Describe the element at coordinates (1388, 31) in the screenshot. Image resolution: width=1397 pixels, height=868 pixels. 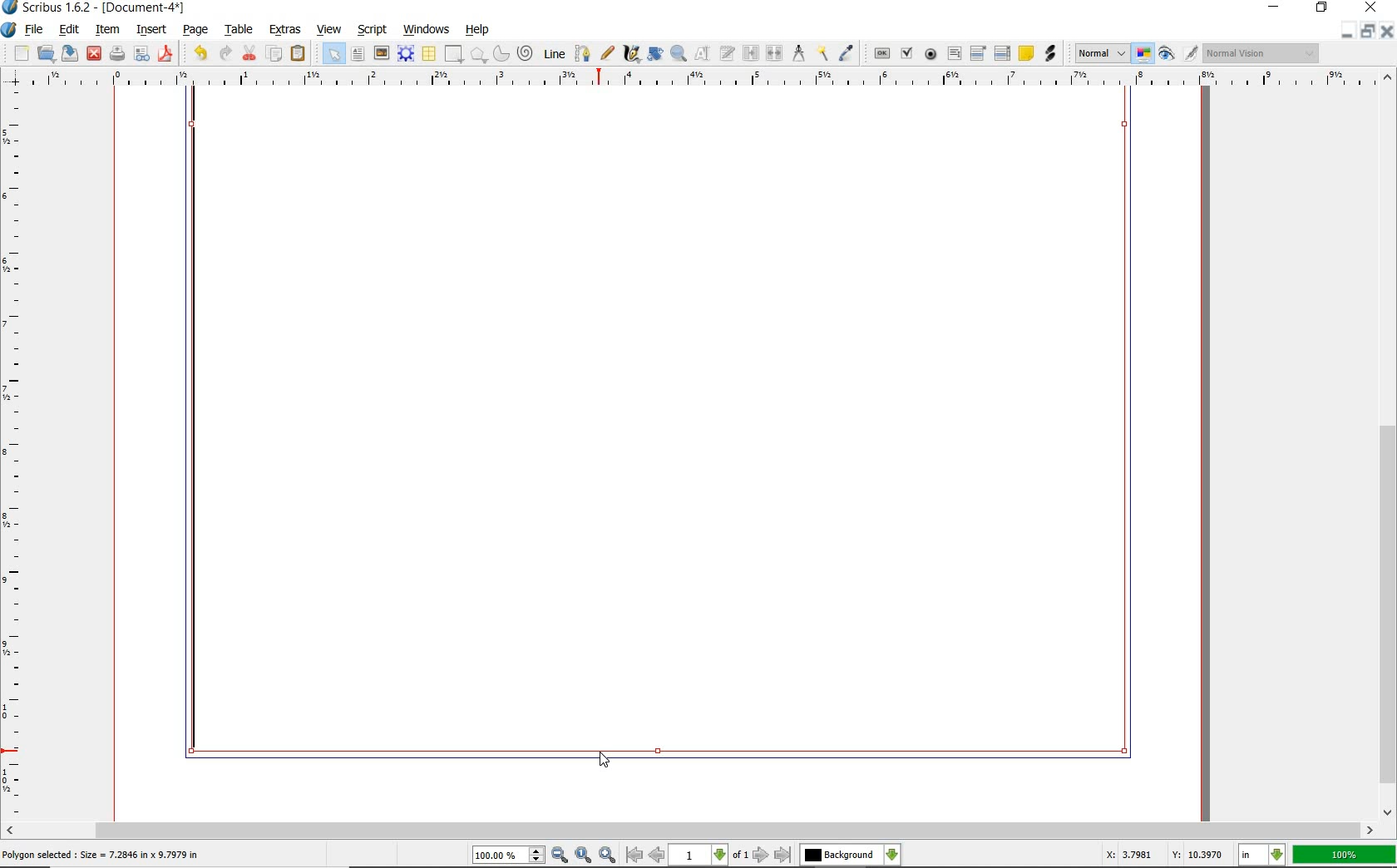
I see `close` at that location.